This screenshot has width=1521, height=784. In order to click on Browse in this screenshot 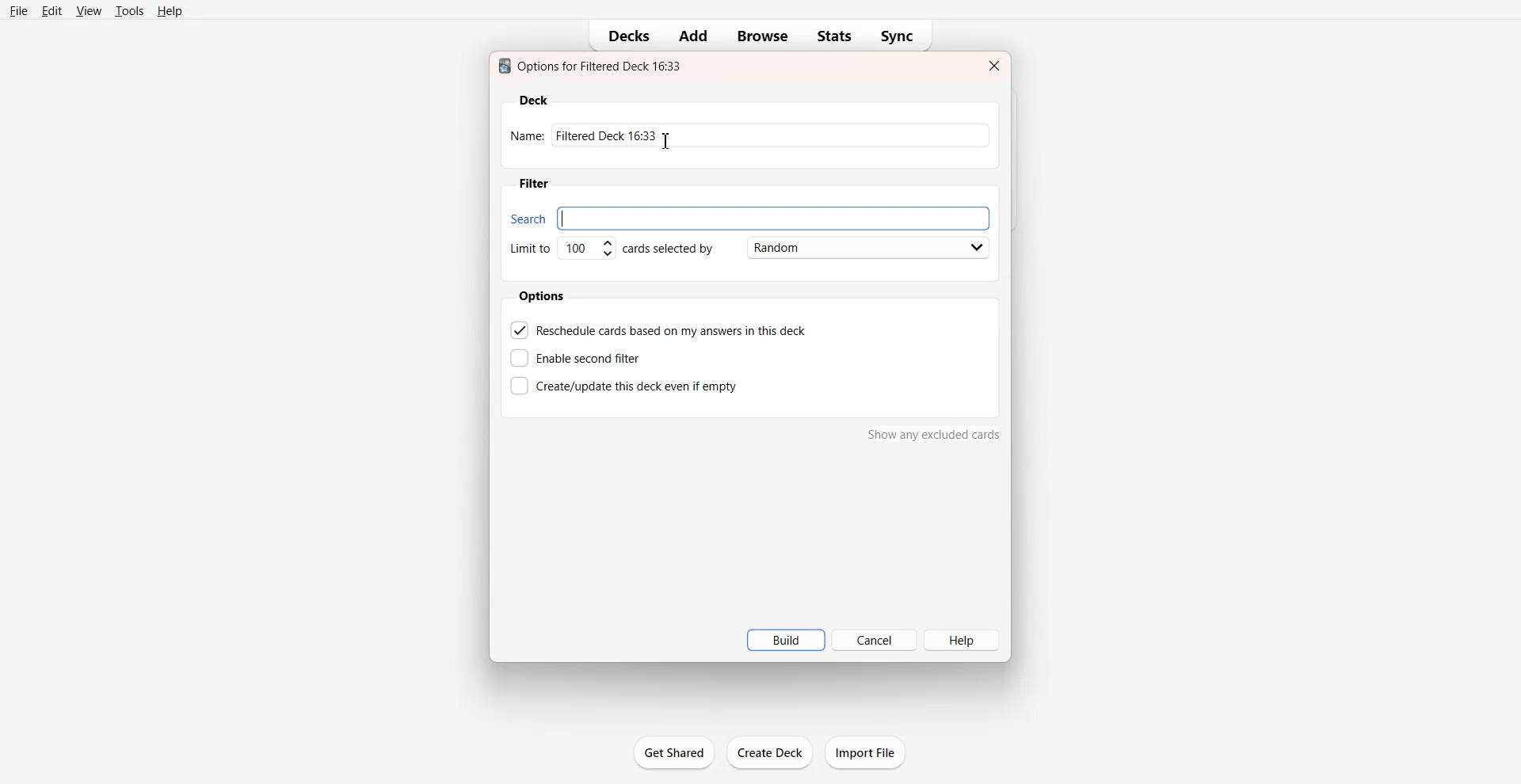, I will do `click(764, 36)`.